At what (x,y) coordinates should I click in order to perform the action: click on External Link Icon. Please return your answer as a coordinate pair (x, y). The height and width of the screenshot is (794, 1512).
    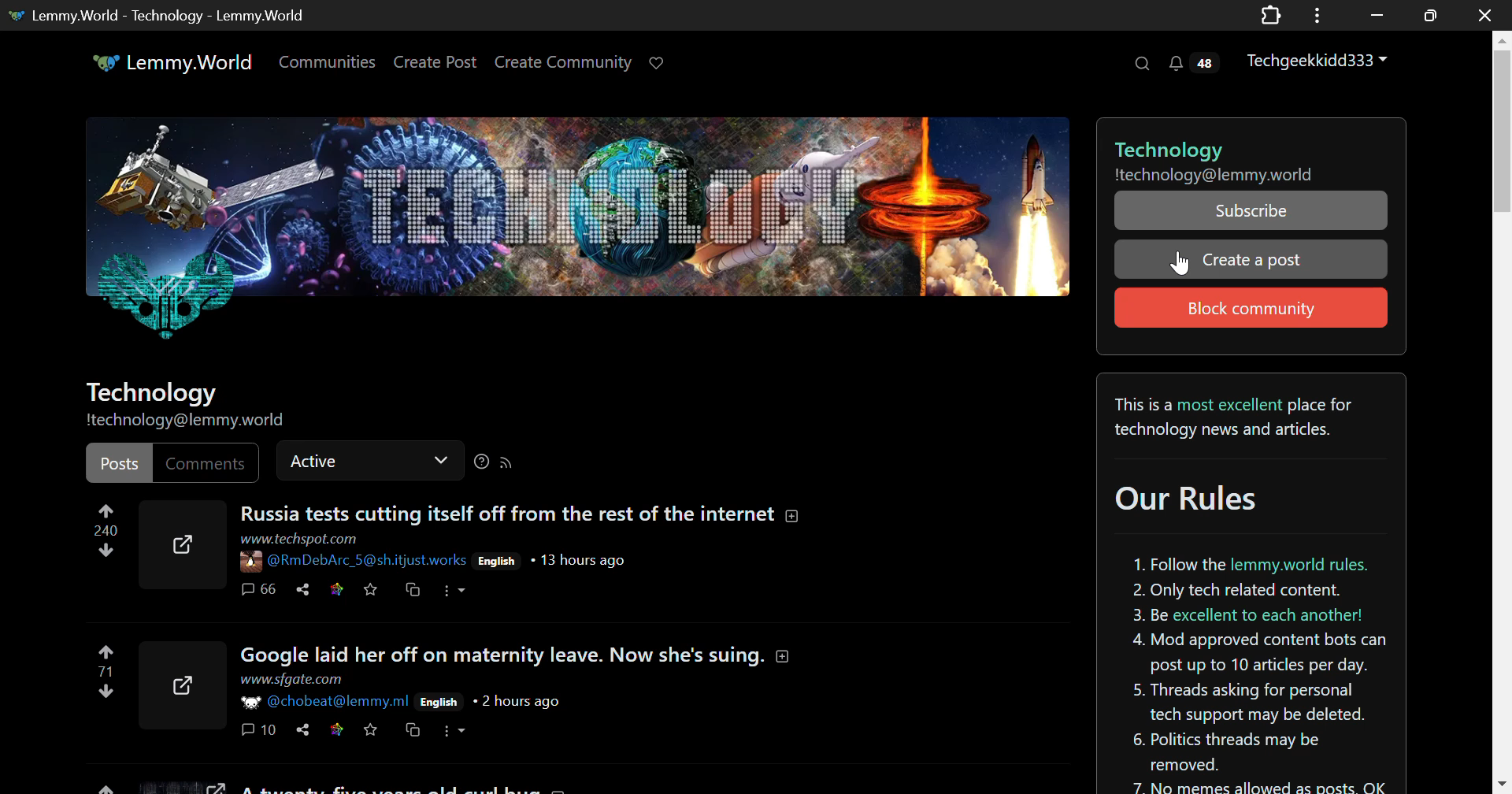
    Looking at the image, I should click on (180, 546).